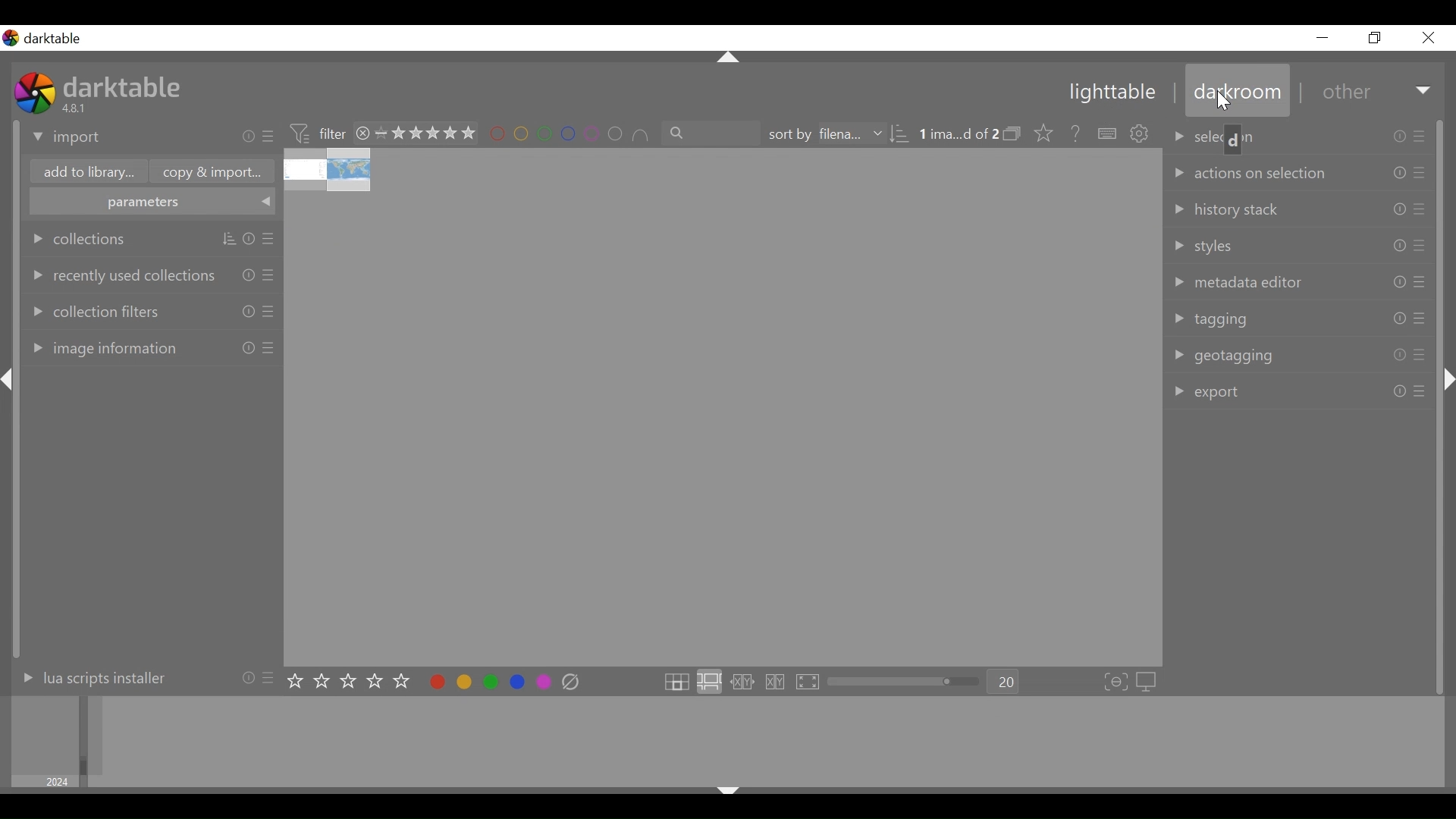 The image size is (1456, 819). I want to click on , so click(271, 277).